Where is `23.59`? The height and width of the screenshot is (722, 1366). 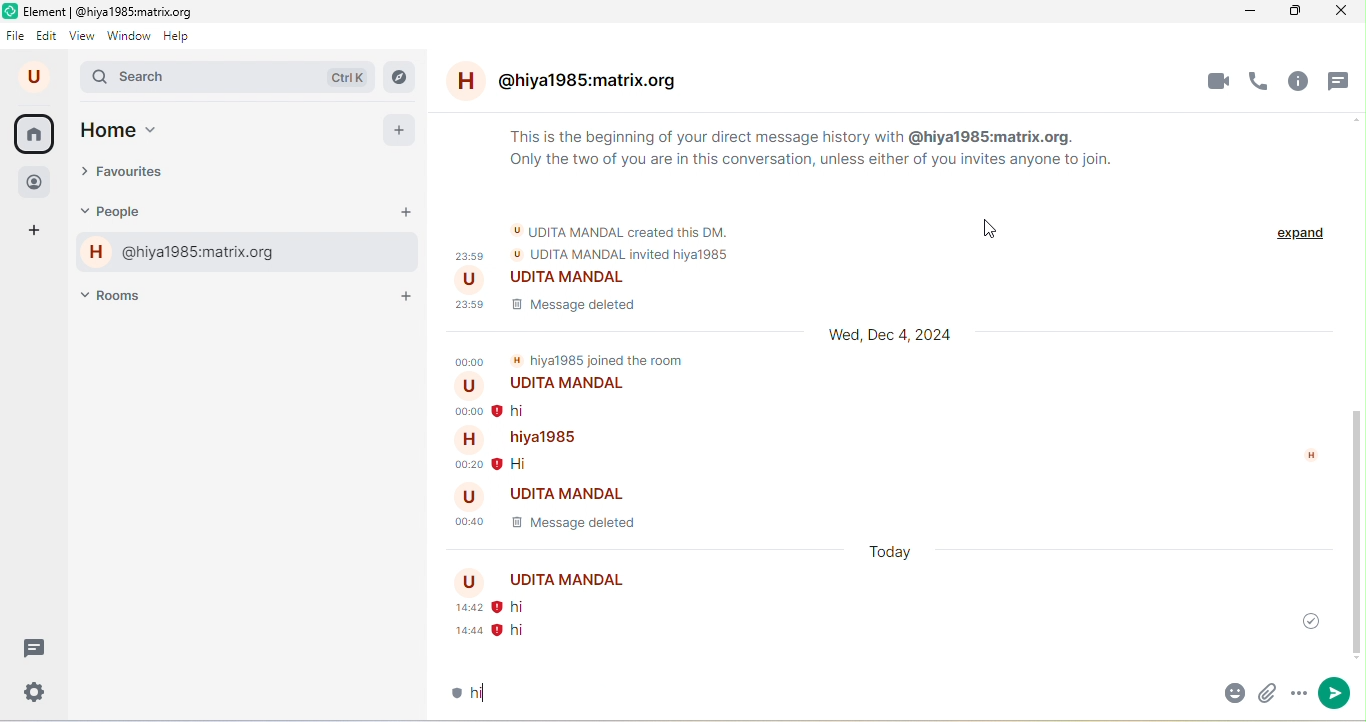
23.59 is located at coordinates (465, 253).